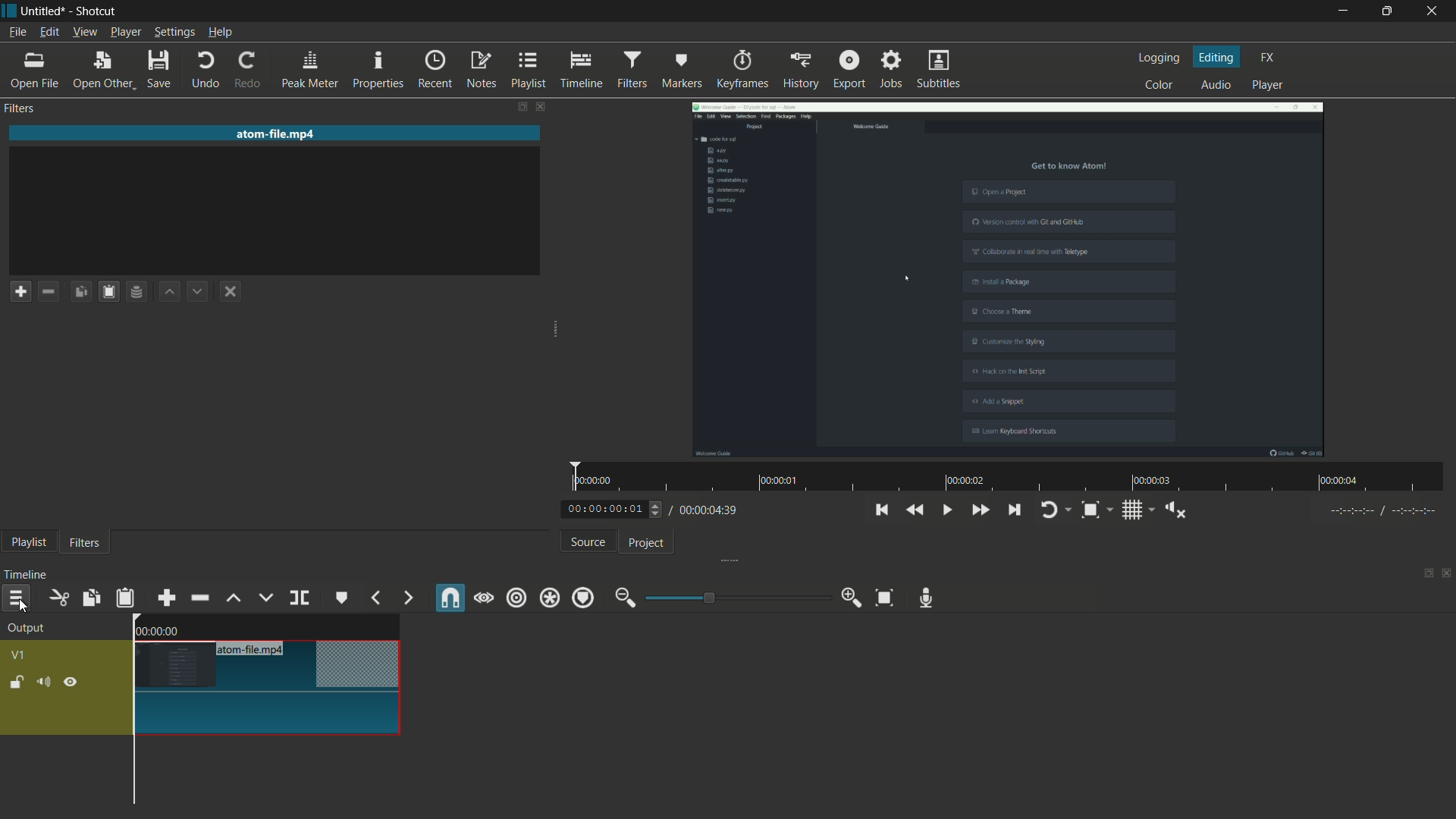  What do you see at coordinates (945, 510) in the screenshot?
I see `toggle play or pause` at bounding box center [945, 510].